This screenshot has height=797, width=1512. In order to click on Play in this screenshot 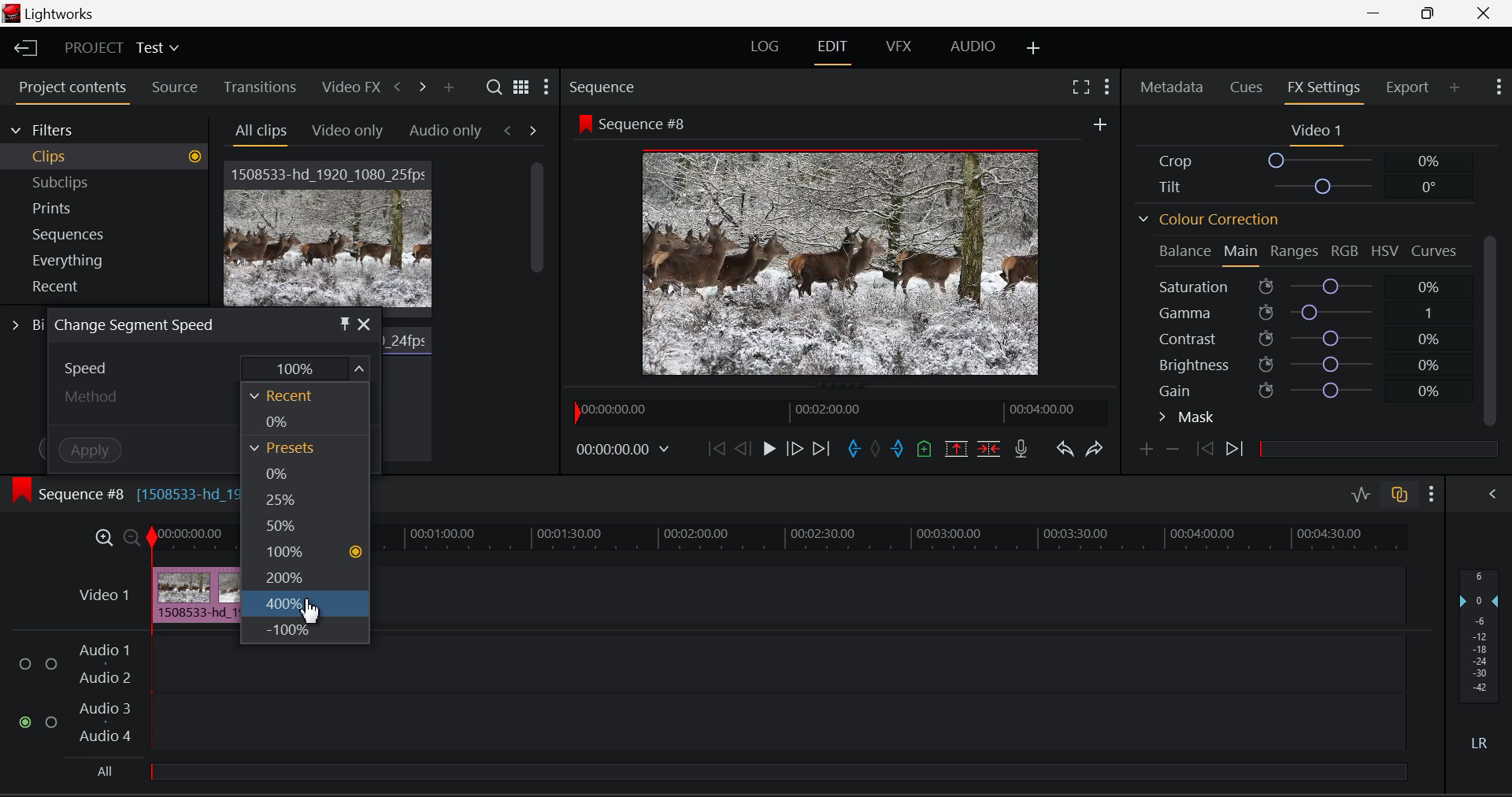, I will do `click(770, 450)`.